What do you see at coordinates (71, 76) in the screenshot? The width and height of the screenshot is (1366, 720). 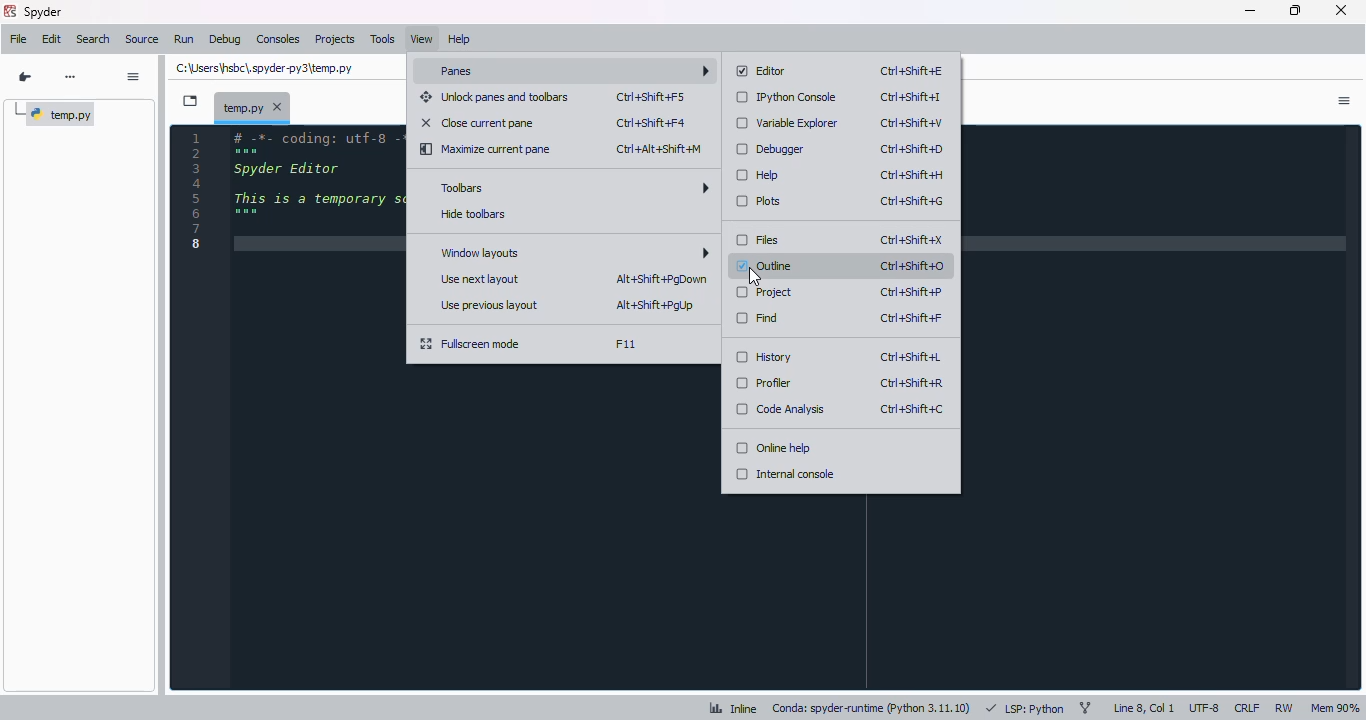 I see `more` at bounding box center [71, 76].